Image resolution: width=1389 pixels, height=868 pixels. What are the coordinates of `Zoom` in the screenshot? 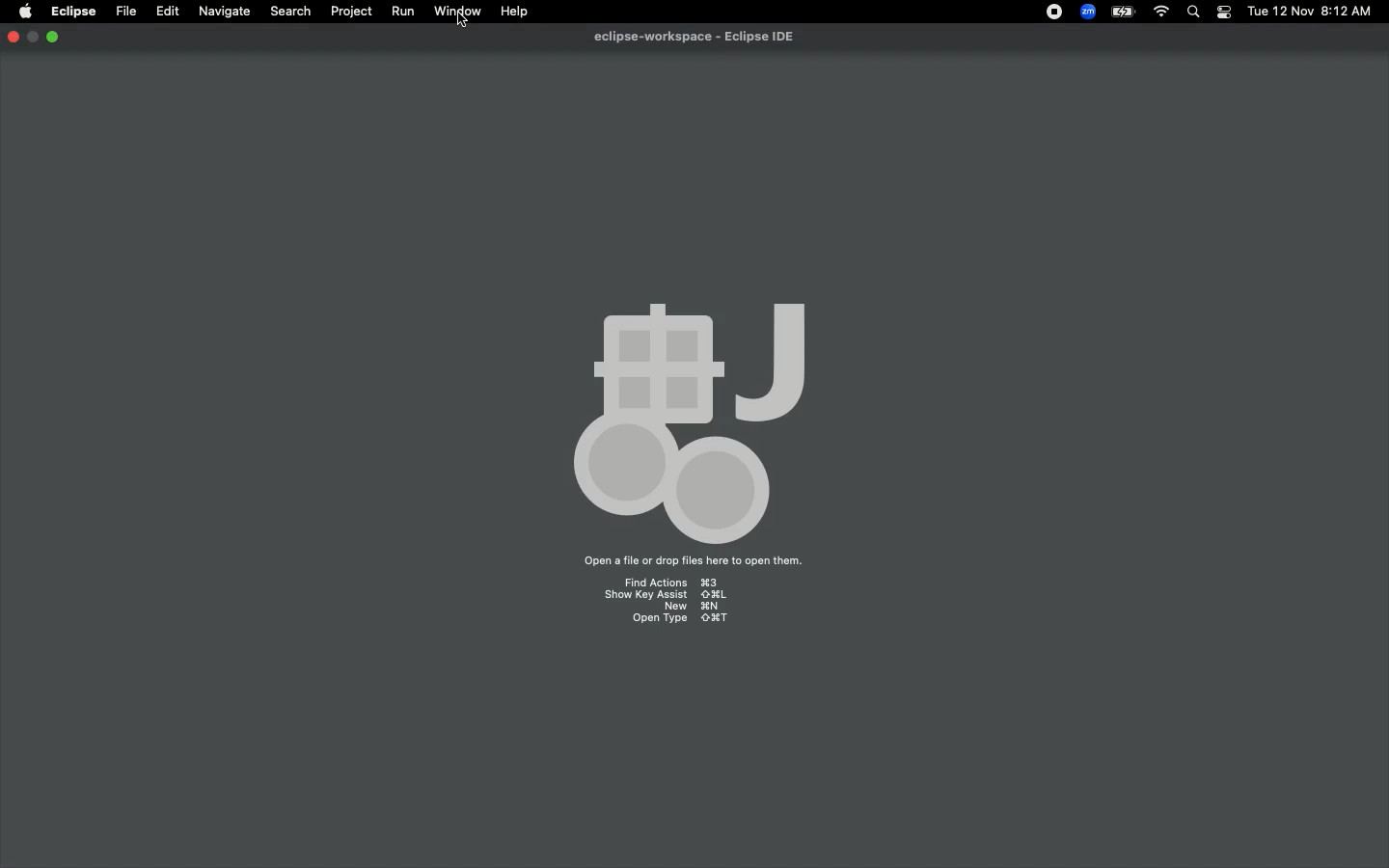 It's located at (1085, 12).